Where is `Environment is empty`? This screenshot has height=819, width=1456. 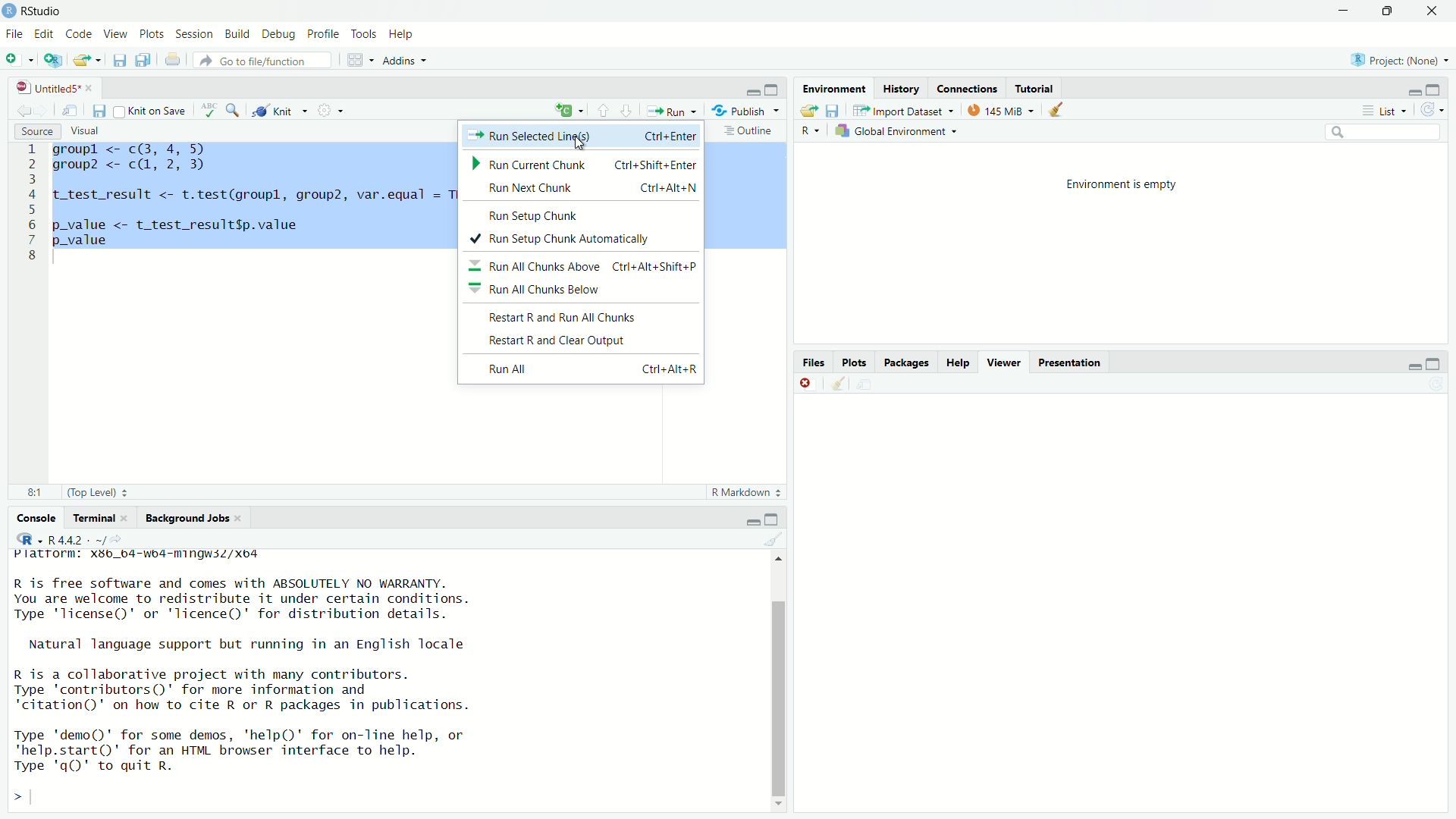 Environment is empty is located at coordinates (1121, 243).